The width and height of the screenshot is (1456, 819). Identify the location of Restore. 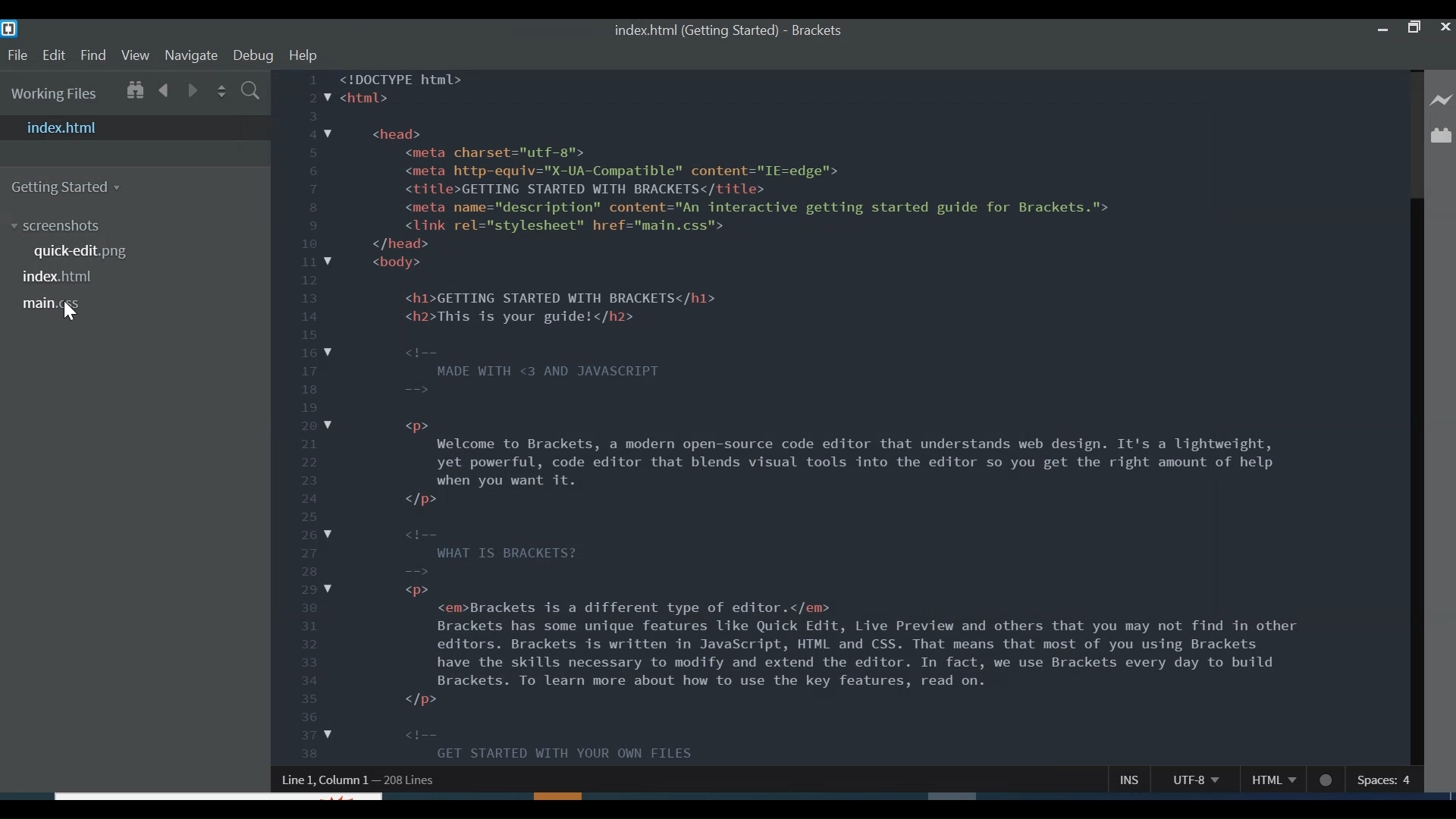
(1414, 28).